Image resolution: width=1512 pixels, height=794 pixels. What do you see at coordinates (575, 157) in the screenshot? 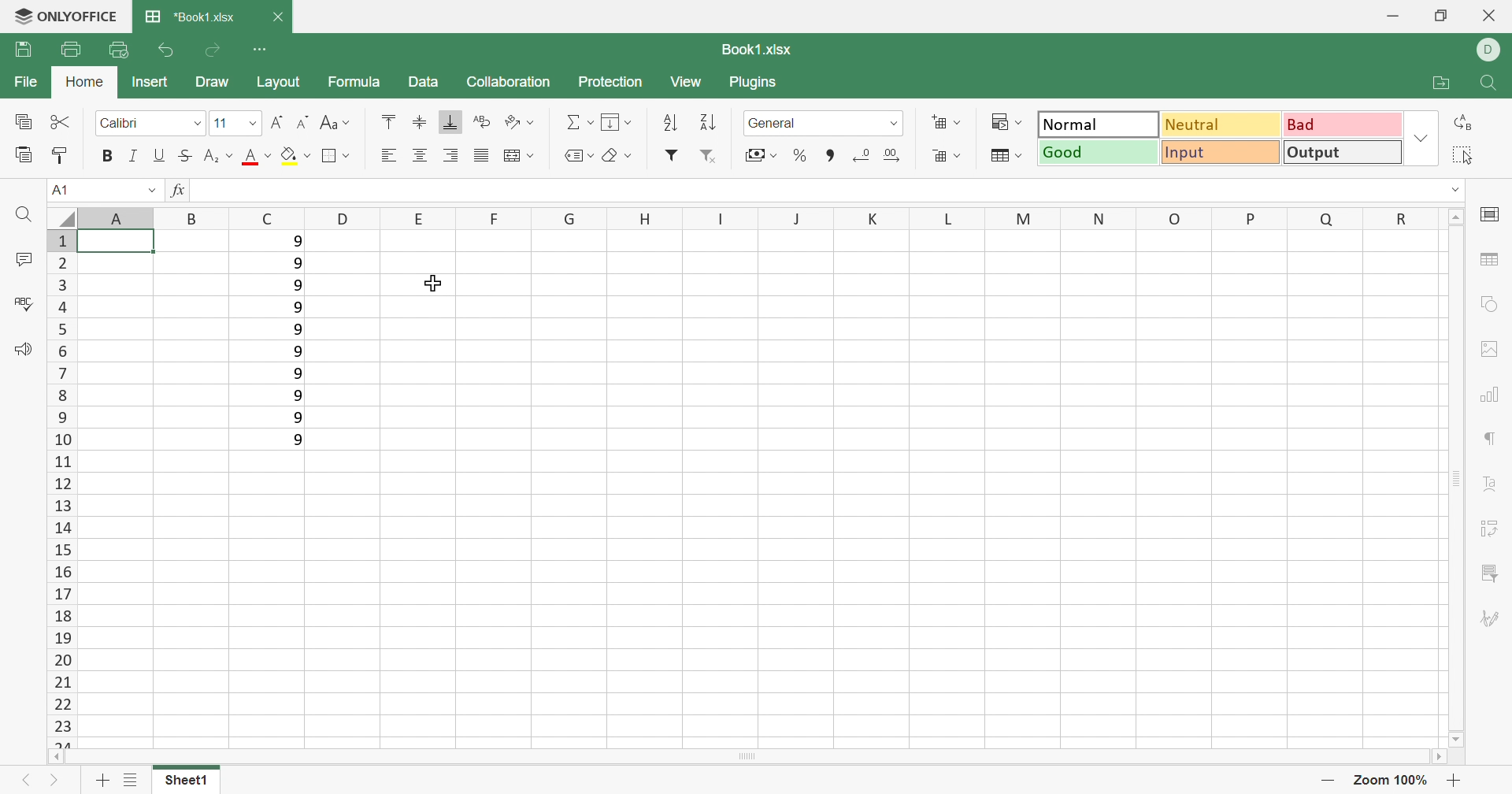
I see `Named Ranges` at bounding box center [575, 157].